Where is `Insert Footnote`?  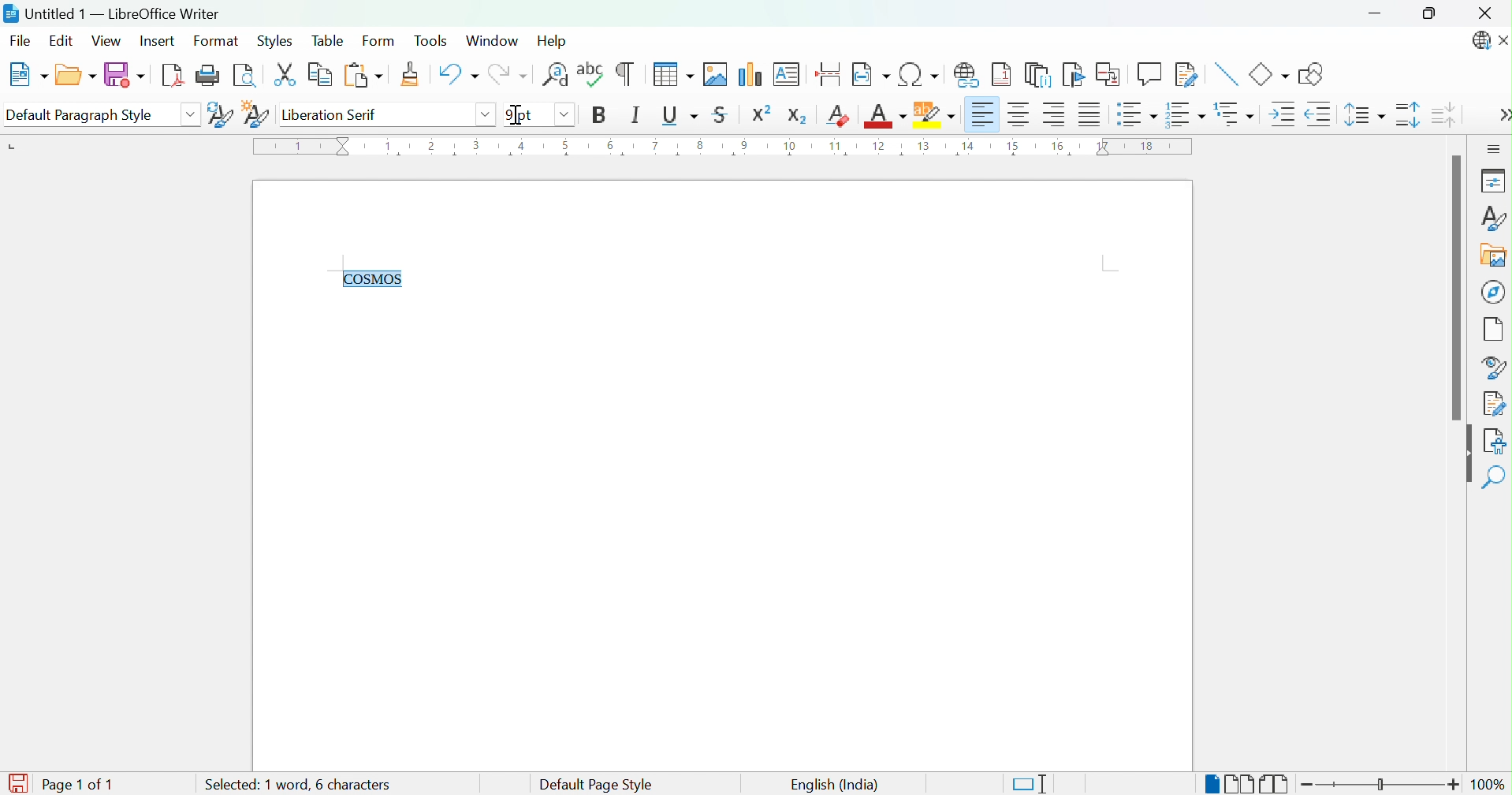 Insert Footnote is located at coordinates (1002, 75).